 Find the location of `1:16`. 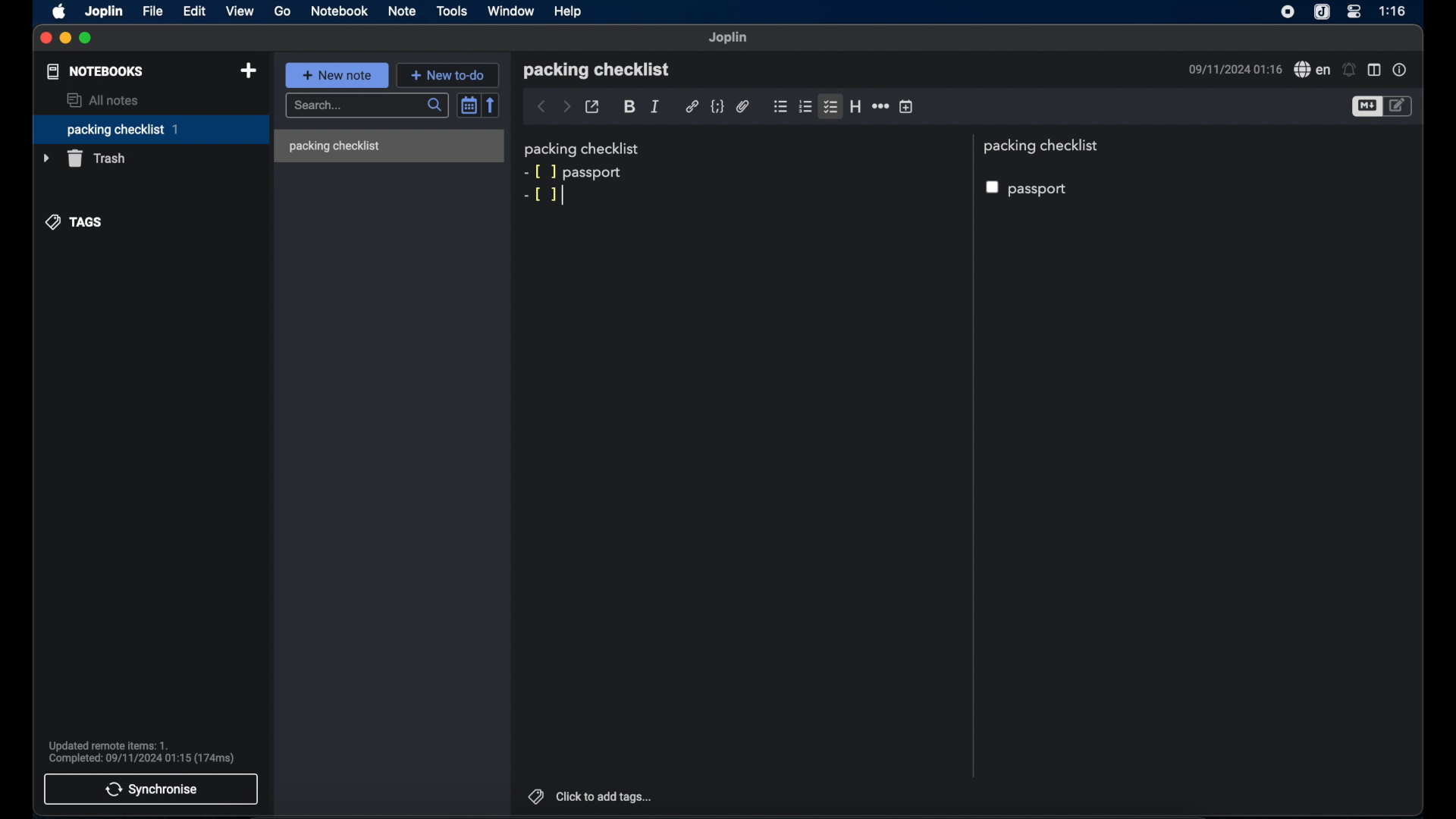

1:16 is located at coordinates (1394, 11).